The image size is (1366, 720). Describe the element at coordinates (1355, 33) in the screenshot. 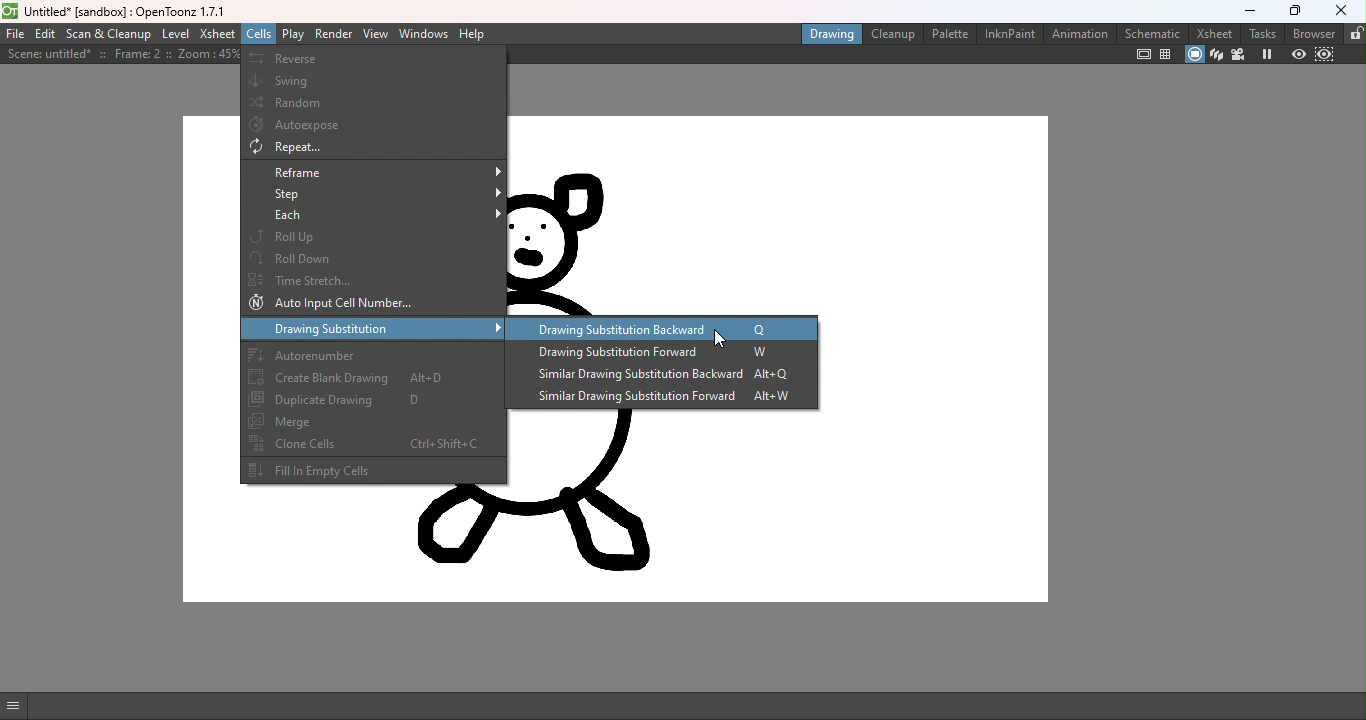

I see `Rooms tab` at that location.